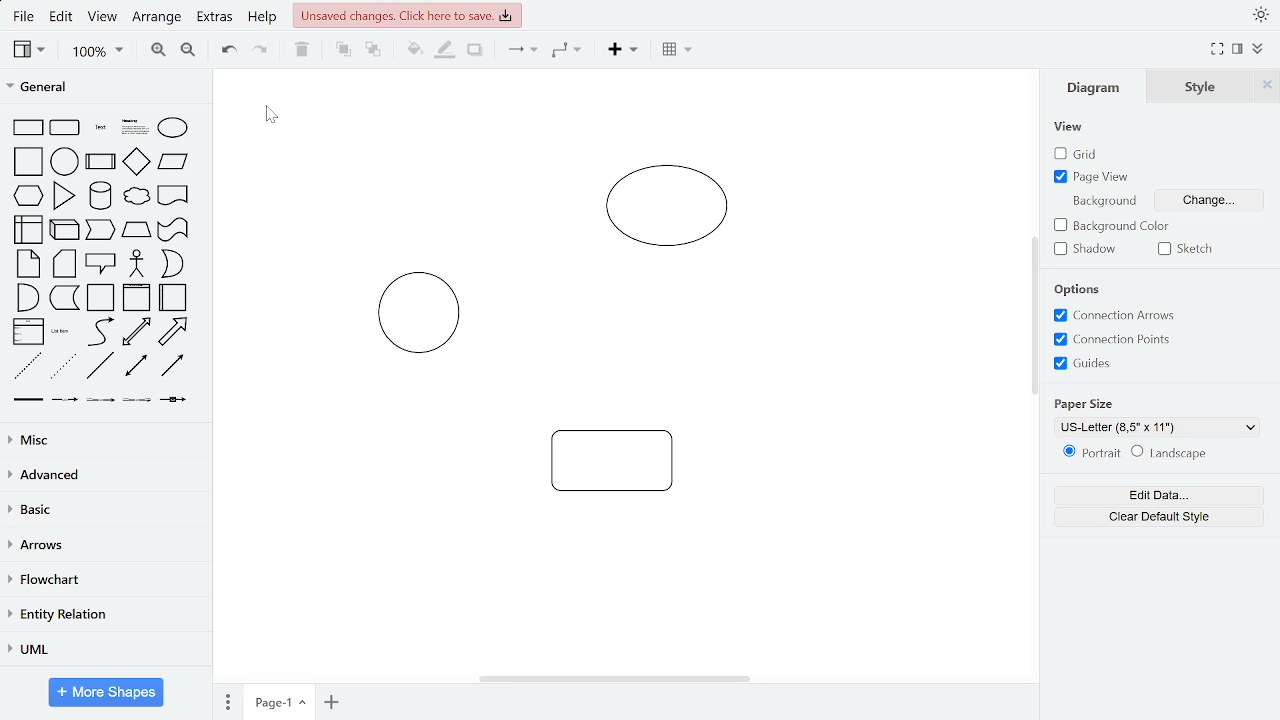 The image size is (1280, 720). Describe the element at coordinates (65, 161) in the screenshot. I see `circle` at that location.